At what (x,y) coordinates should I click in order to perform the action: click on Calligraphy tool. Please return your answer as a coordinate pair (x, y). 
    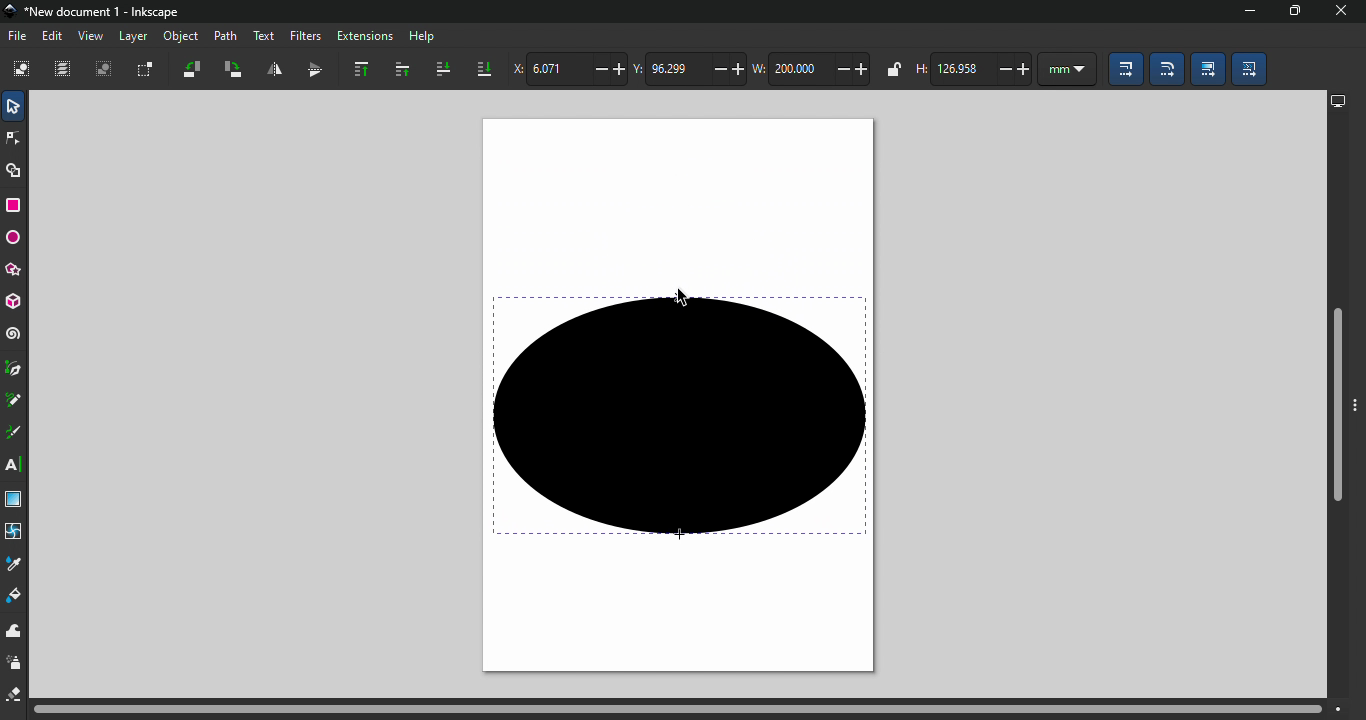
    Looking at the image, I should click on (13, 432).